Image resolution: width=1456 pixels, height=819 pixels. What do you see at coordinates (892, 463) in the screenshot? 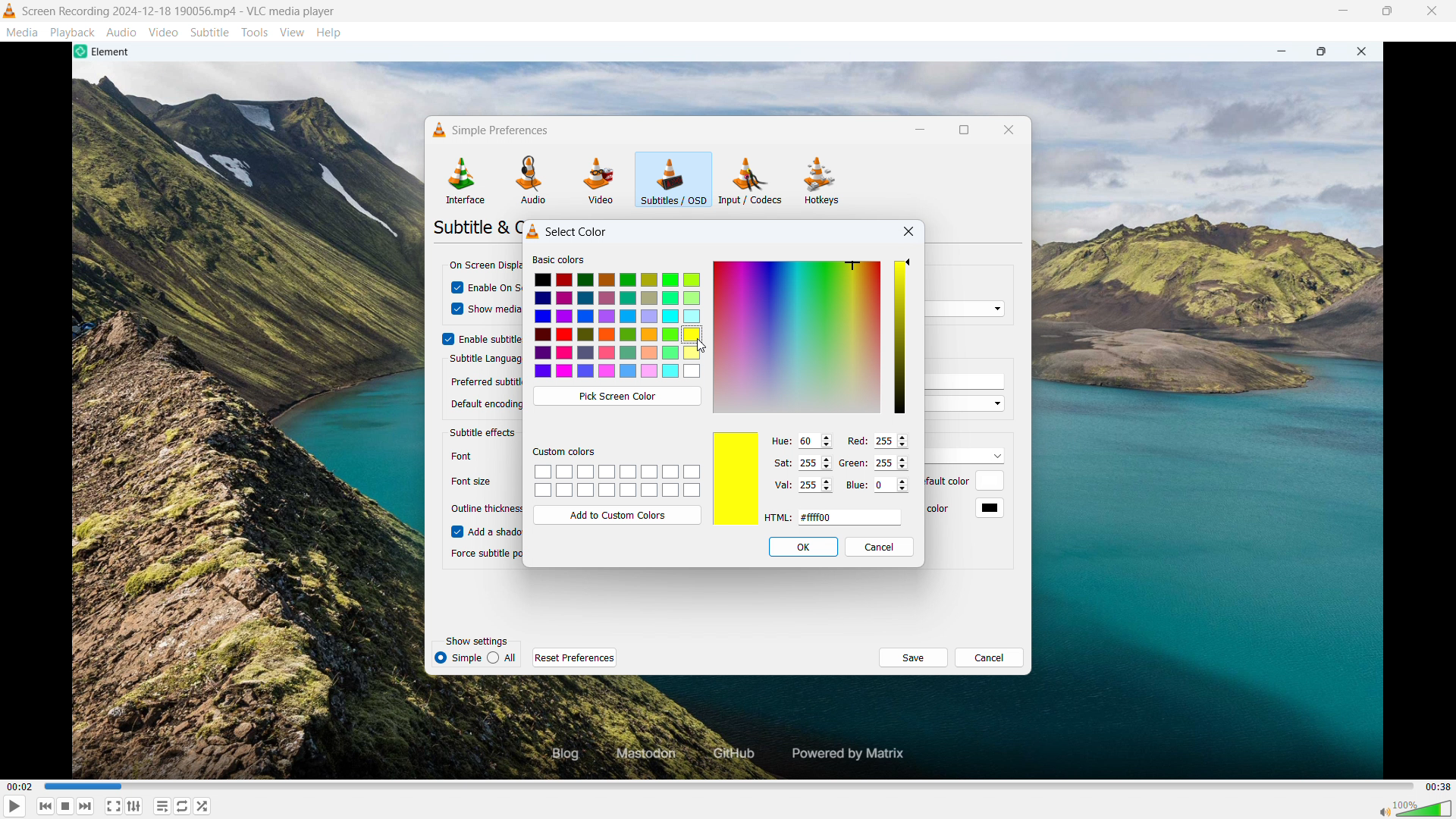
I see `Set green ` at bounding box center [892, 463].